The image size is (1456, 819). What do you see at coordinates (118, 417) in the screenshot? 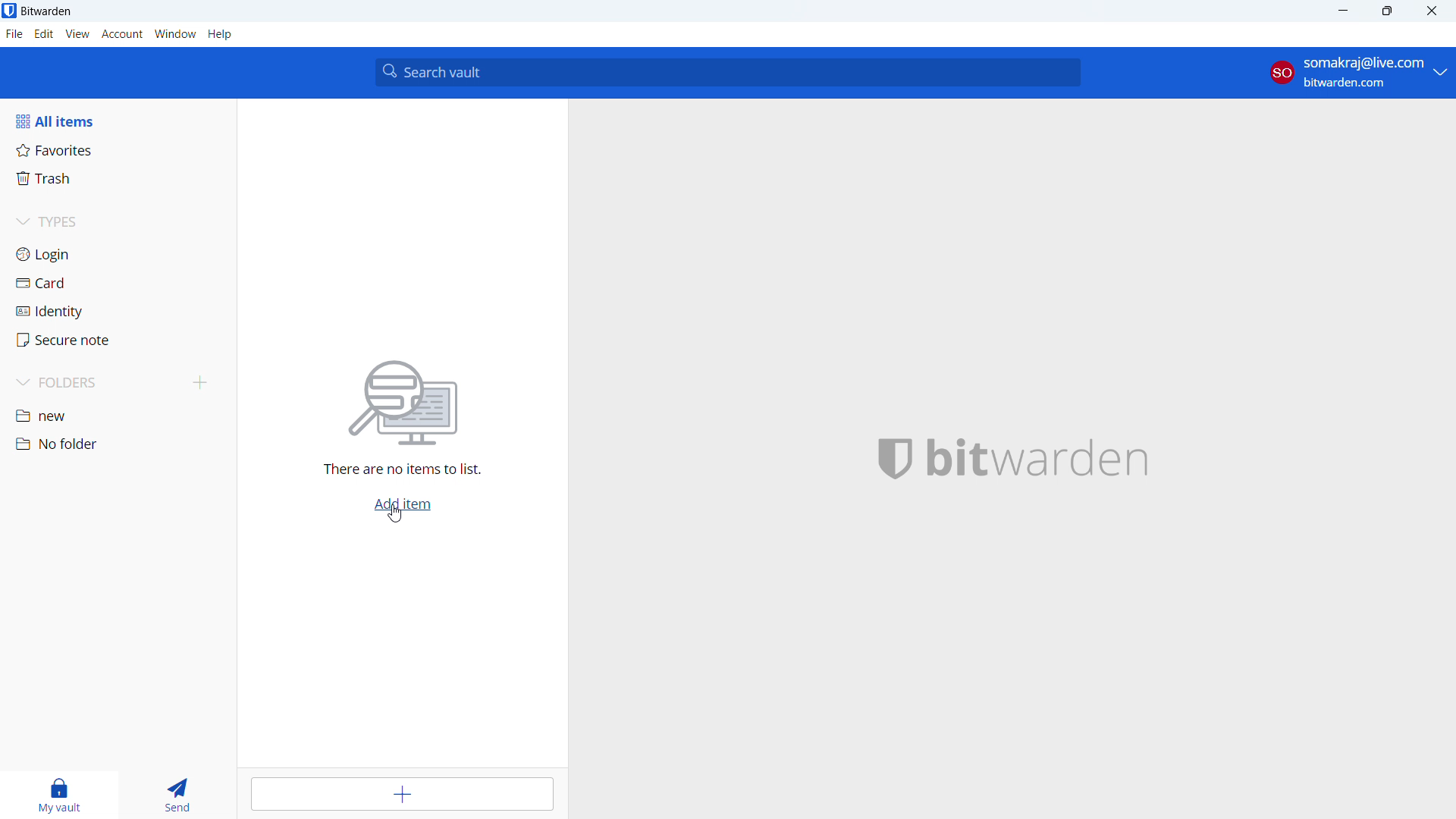
I see `new` at bounding box center [118, 417].